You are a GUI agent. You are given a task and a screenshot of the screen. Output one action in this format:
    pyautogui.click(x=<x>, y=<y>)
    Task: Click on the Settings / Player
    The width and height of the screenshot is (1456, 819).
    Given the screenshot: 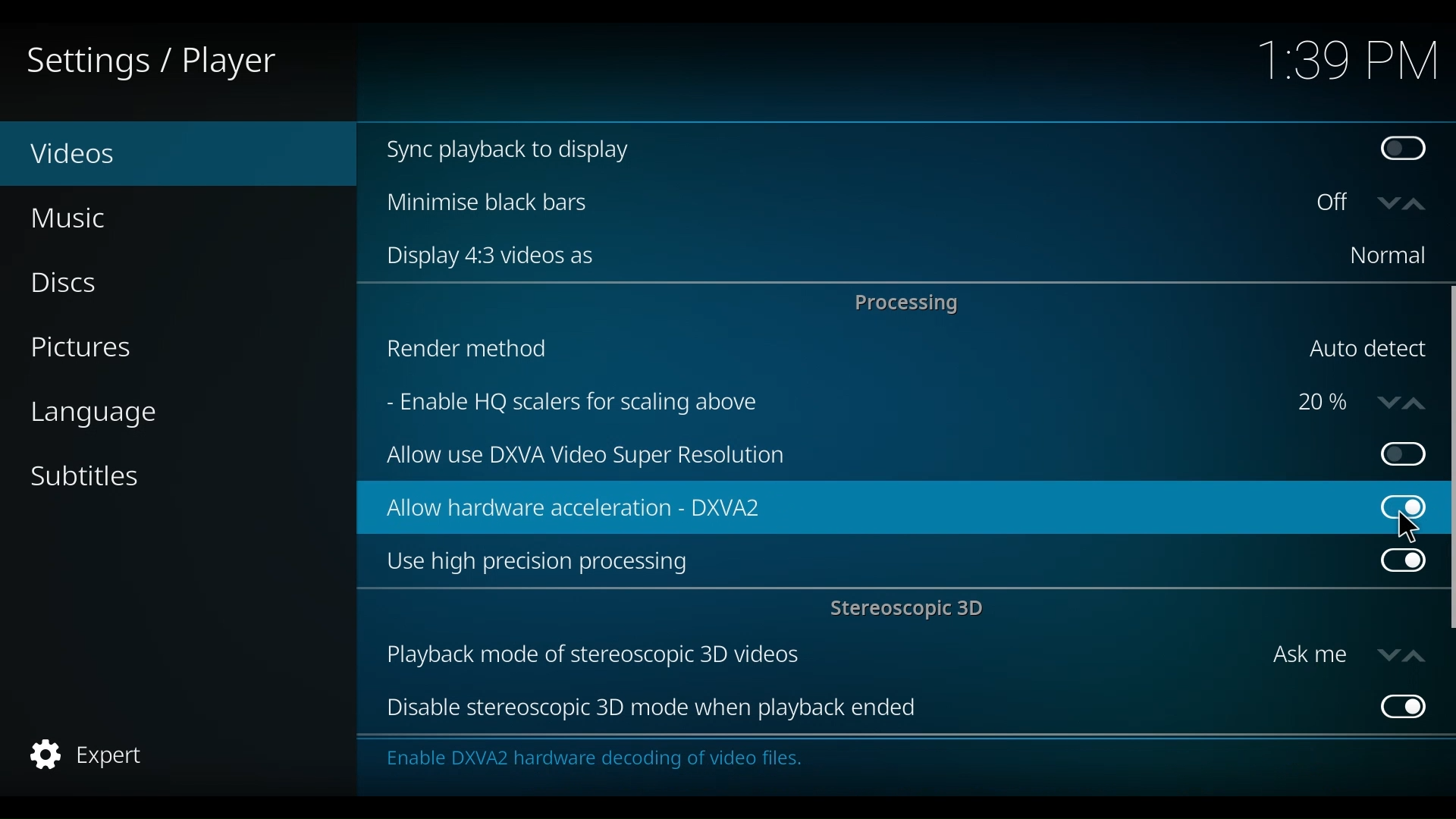 What is the action you would take?
    pyautogui.click(x=162, y=61)
    